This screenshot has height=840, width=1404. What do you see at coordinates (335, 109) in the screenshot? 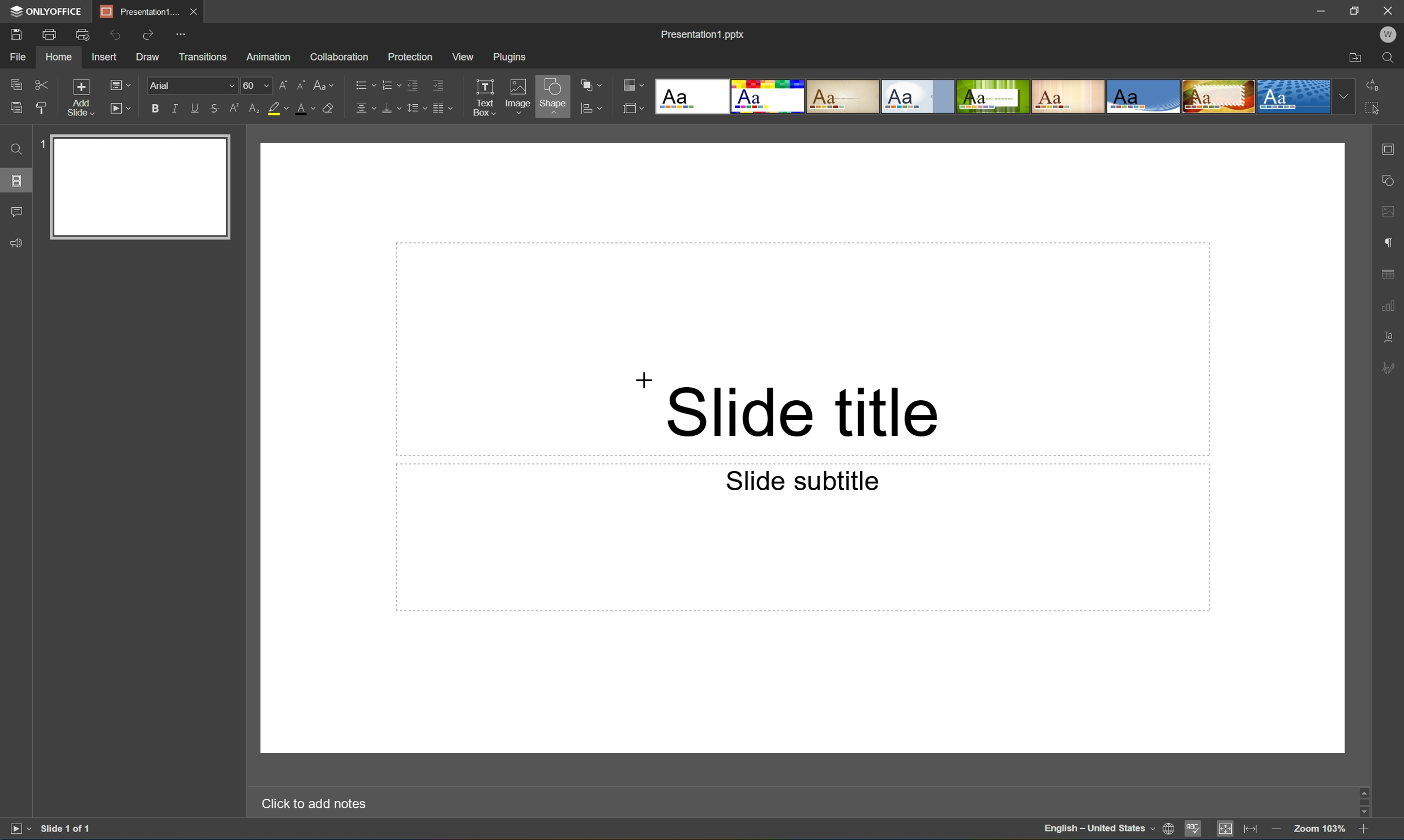
I see `Clear style` at bounding box center [335, 109].